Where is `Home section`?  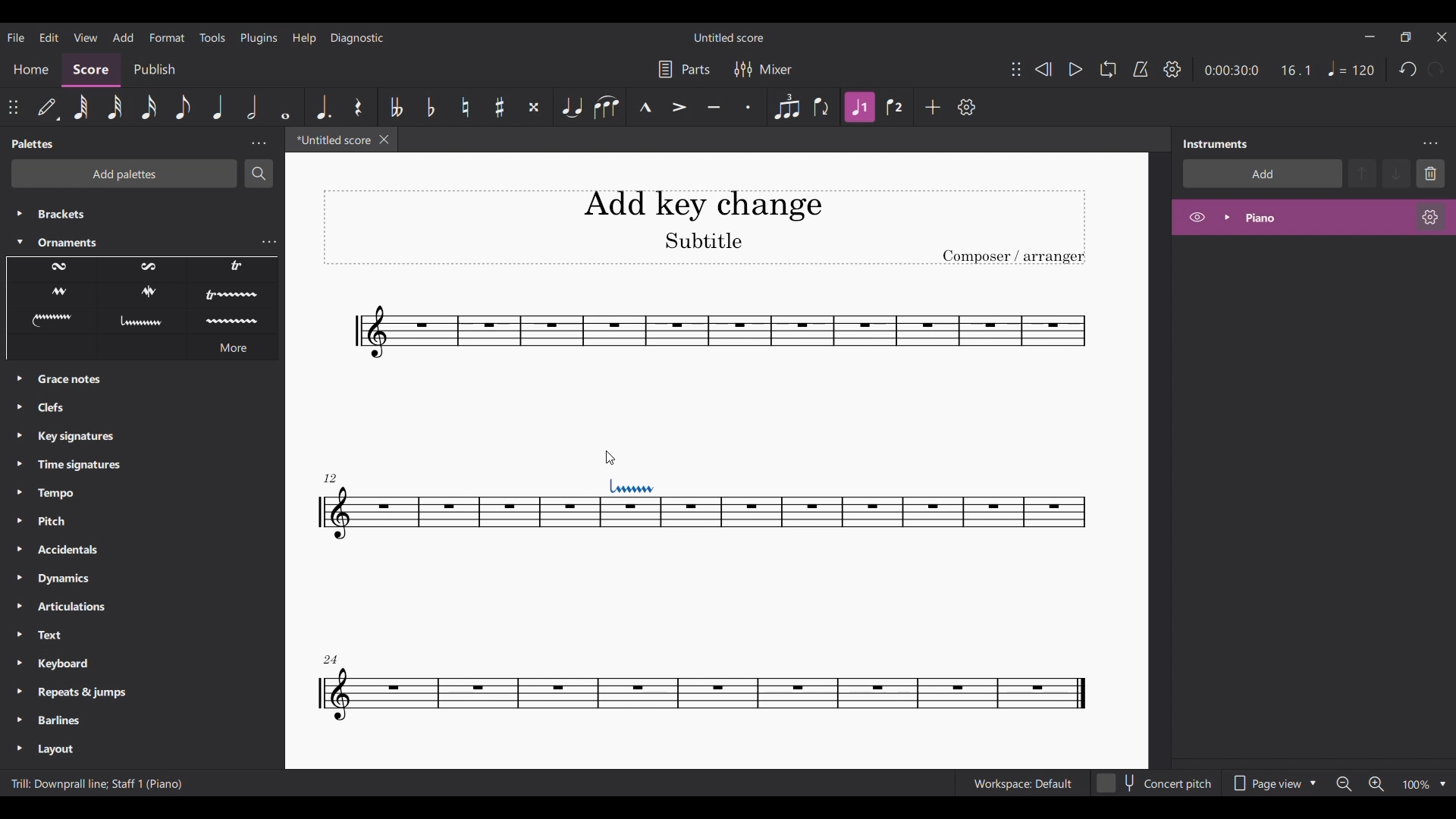
Home section is located at coordinates (31, 70).